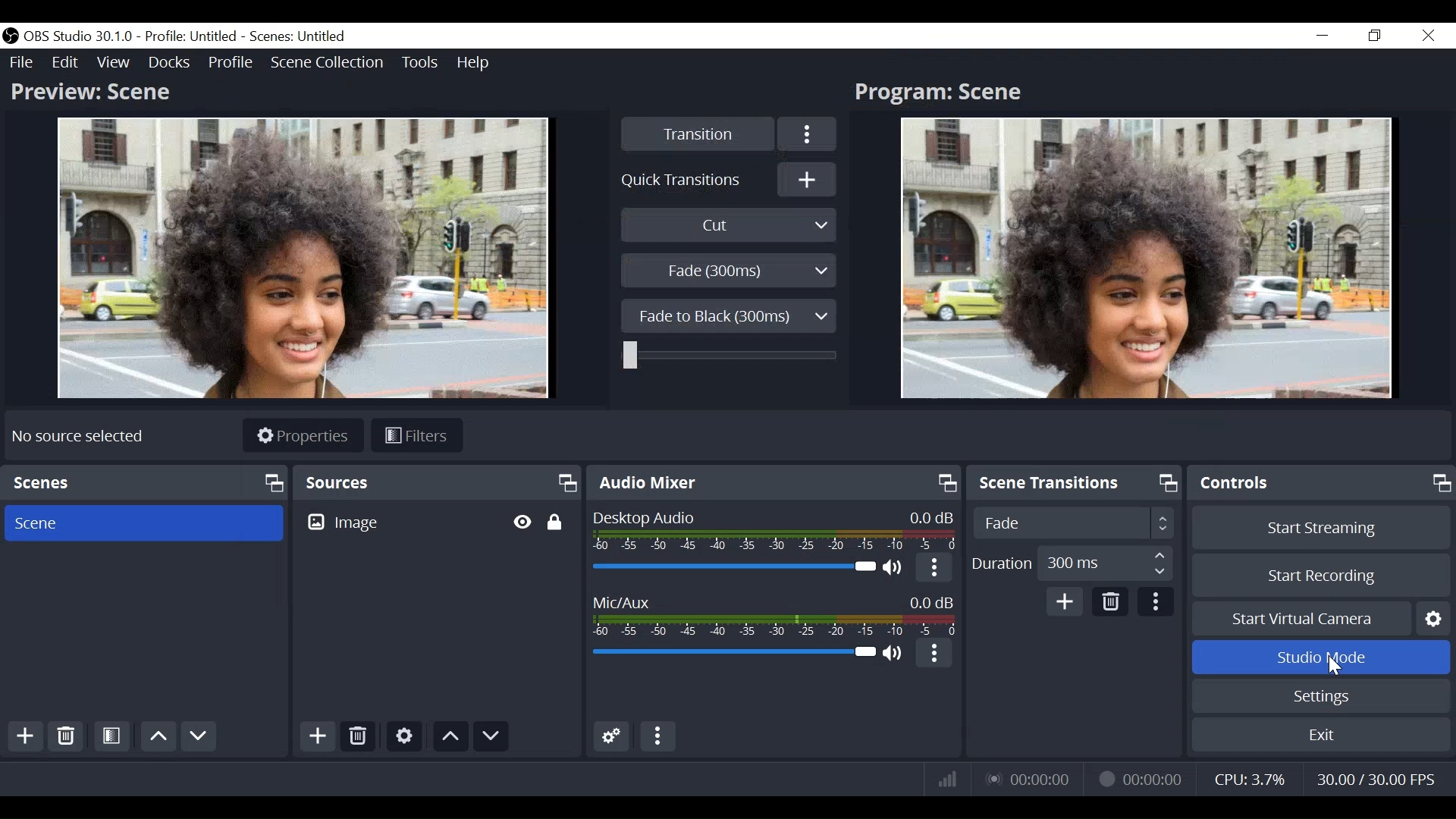 The image size is (1456, 819). What do you see at coordinates (80, 36) in the screenshot?
I see `OBS Version` at bounding box center [80, 36].